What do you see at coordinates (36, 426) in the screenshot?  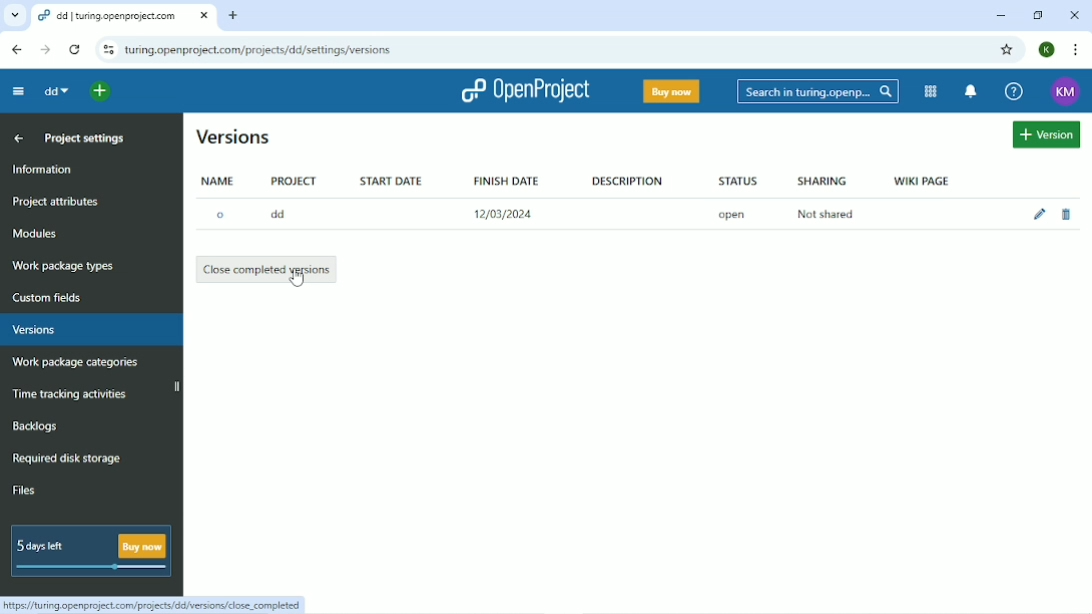 I see `Backlogs` at bounding box center [36, 426].